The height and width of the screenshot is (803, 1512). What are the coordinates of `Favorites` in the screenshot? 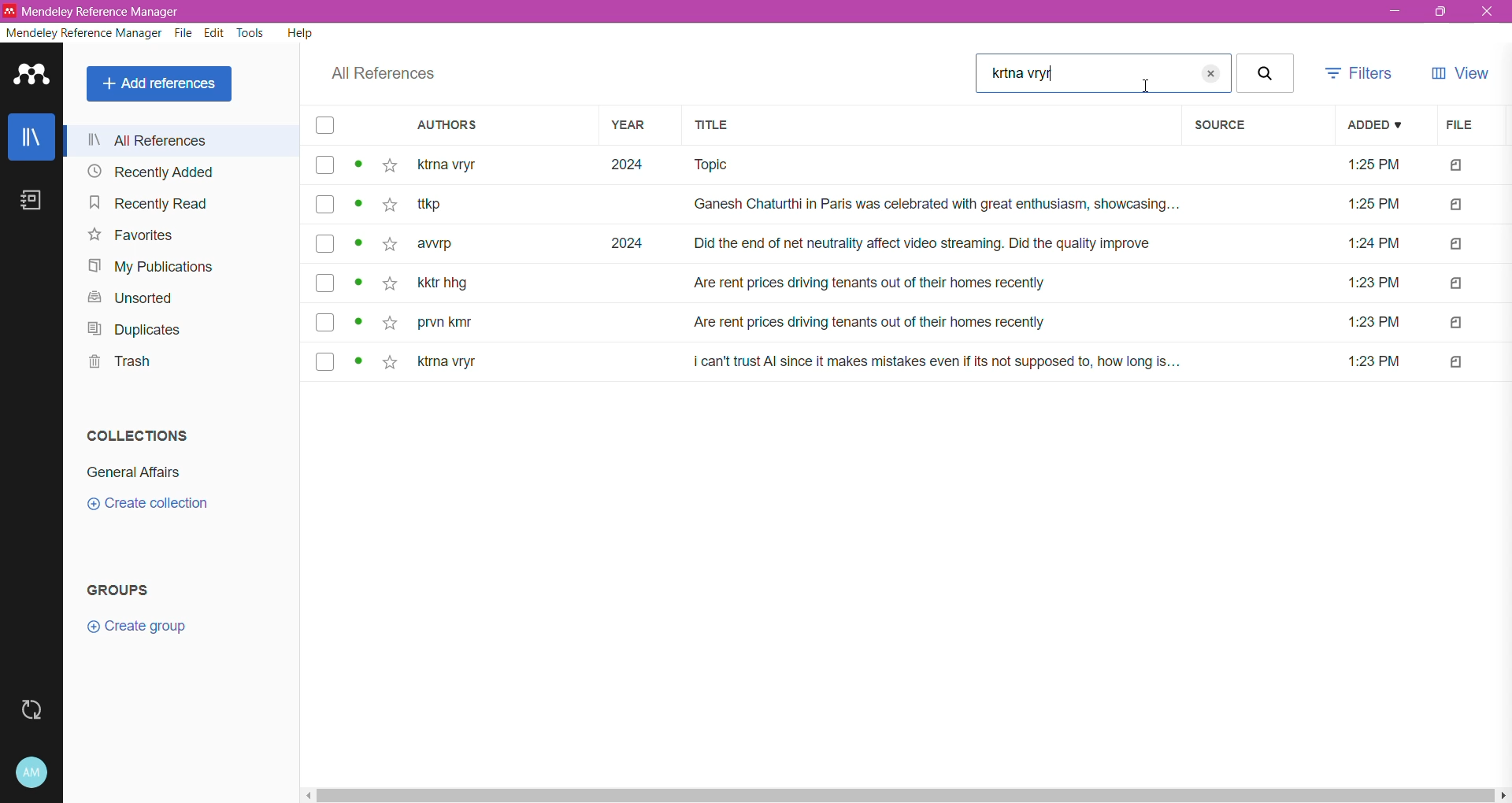 It's located at (128, 237).